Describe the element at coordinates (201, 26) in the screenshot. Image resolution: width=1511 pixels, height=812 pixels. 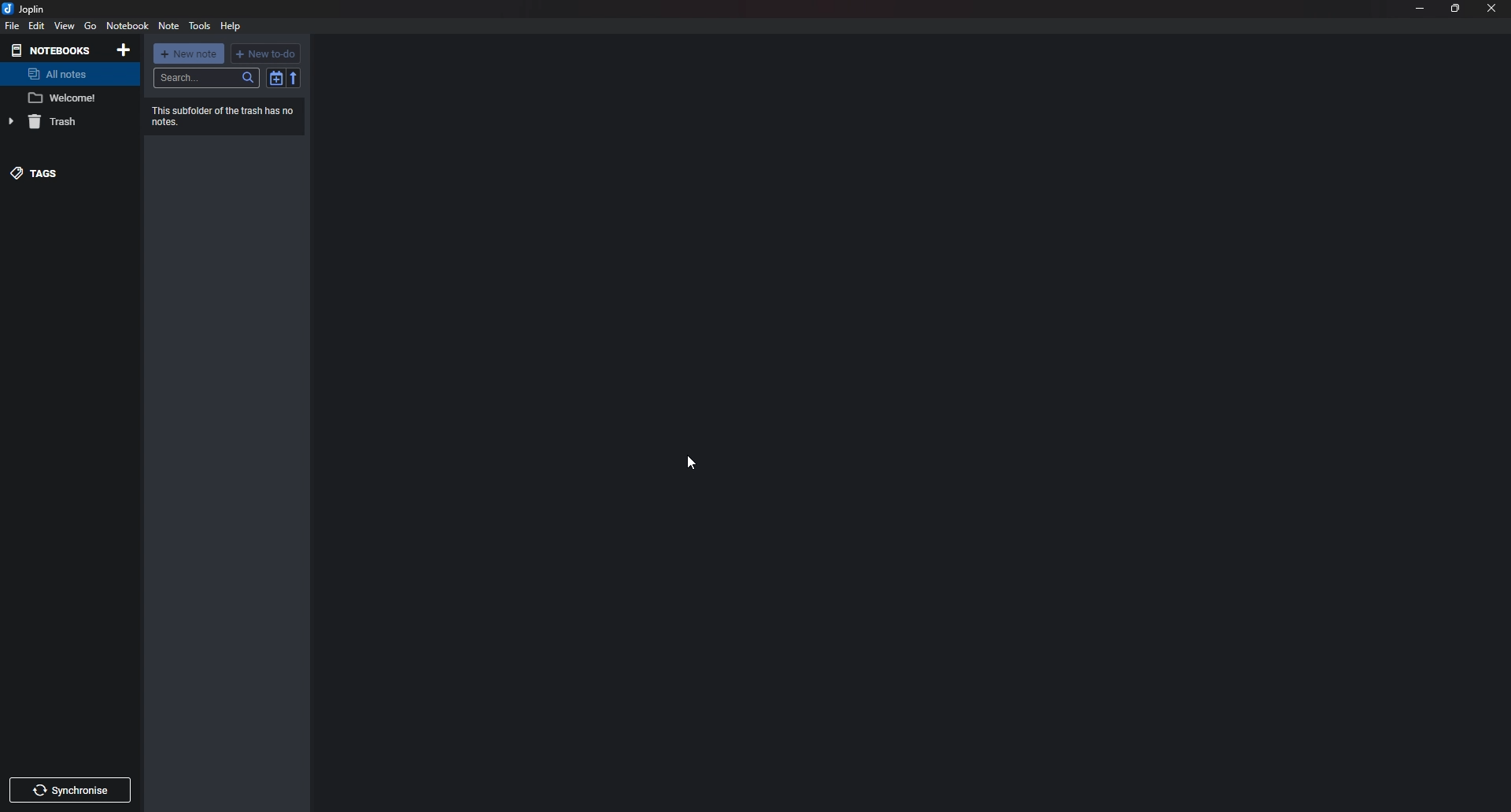
I see `tools` at that location.